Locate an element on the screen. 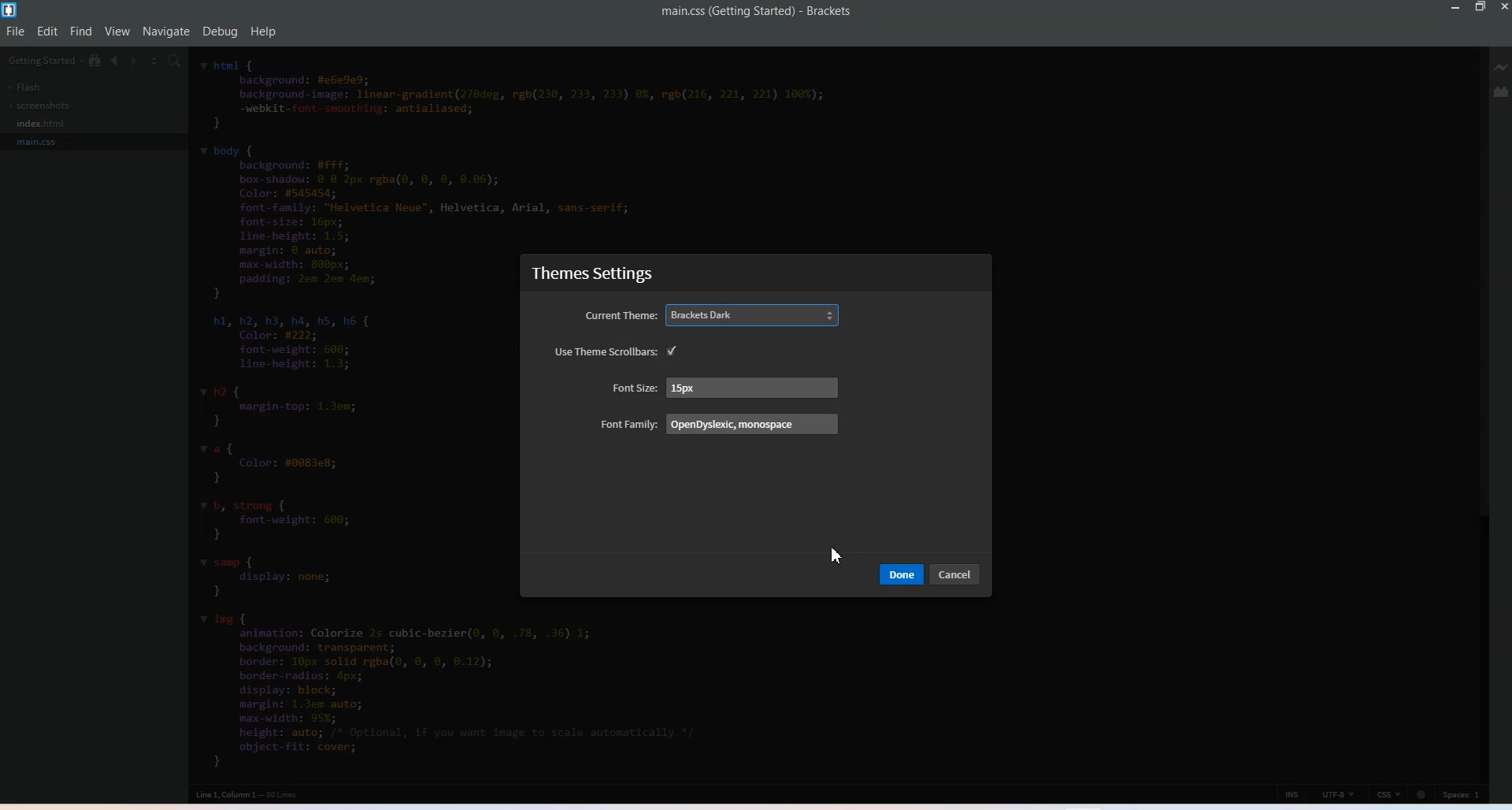  Cursor is located at coordinates (838, 555).